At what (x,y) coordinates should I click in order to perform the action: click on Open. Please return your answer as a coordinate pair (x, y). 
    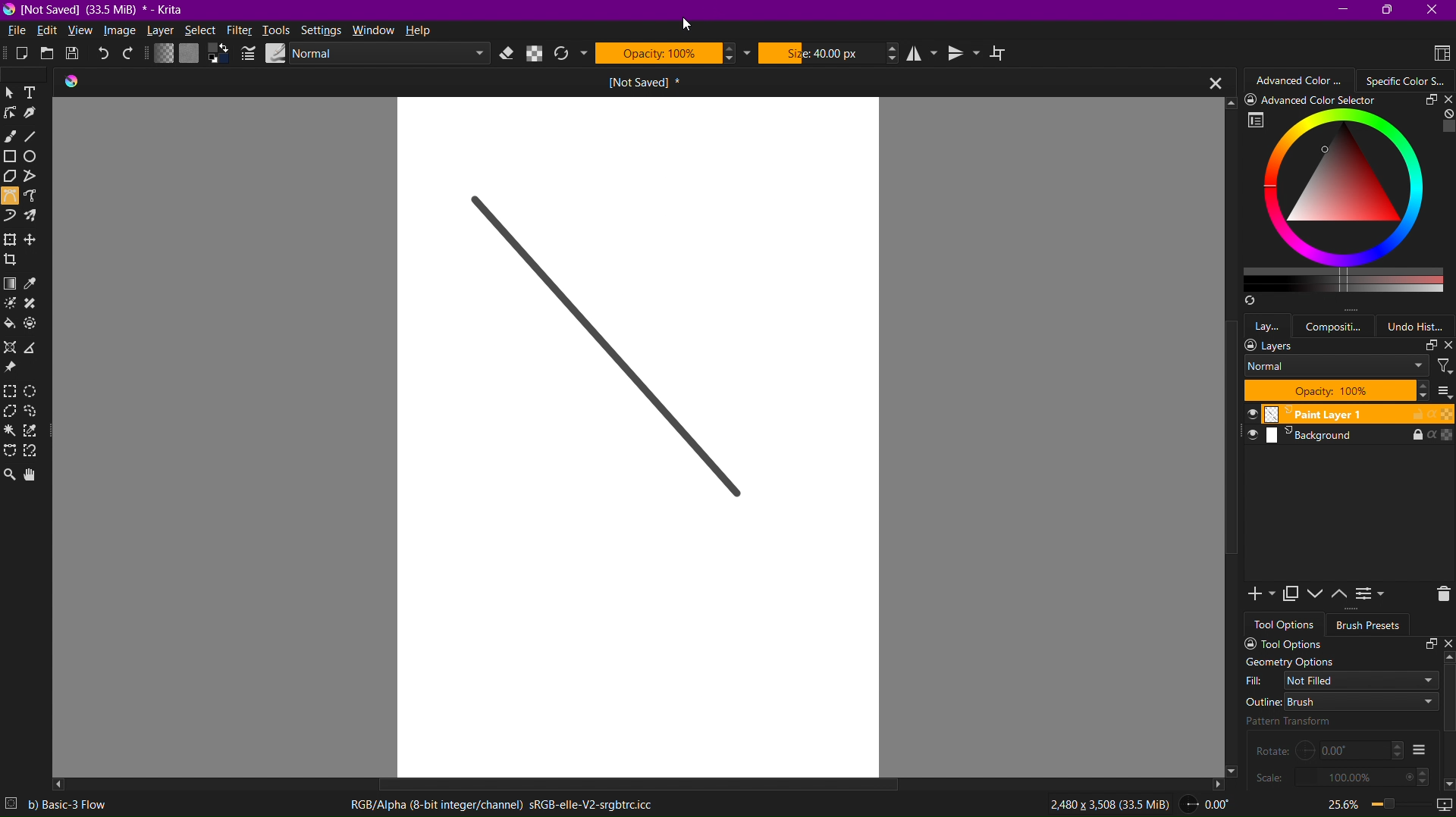
    Looking at the image, I should click on (45, 55).